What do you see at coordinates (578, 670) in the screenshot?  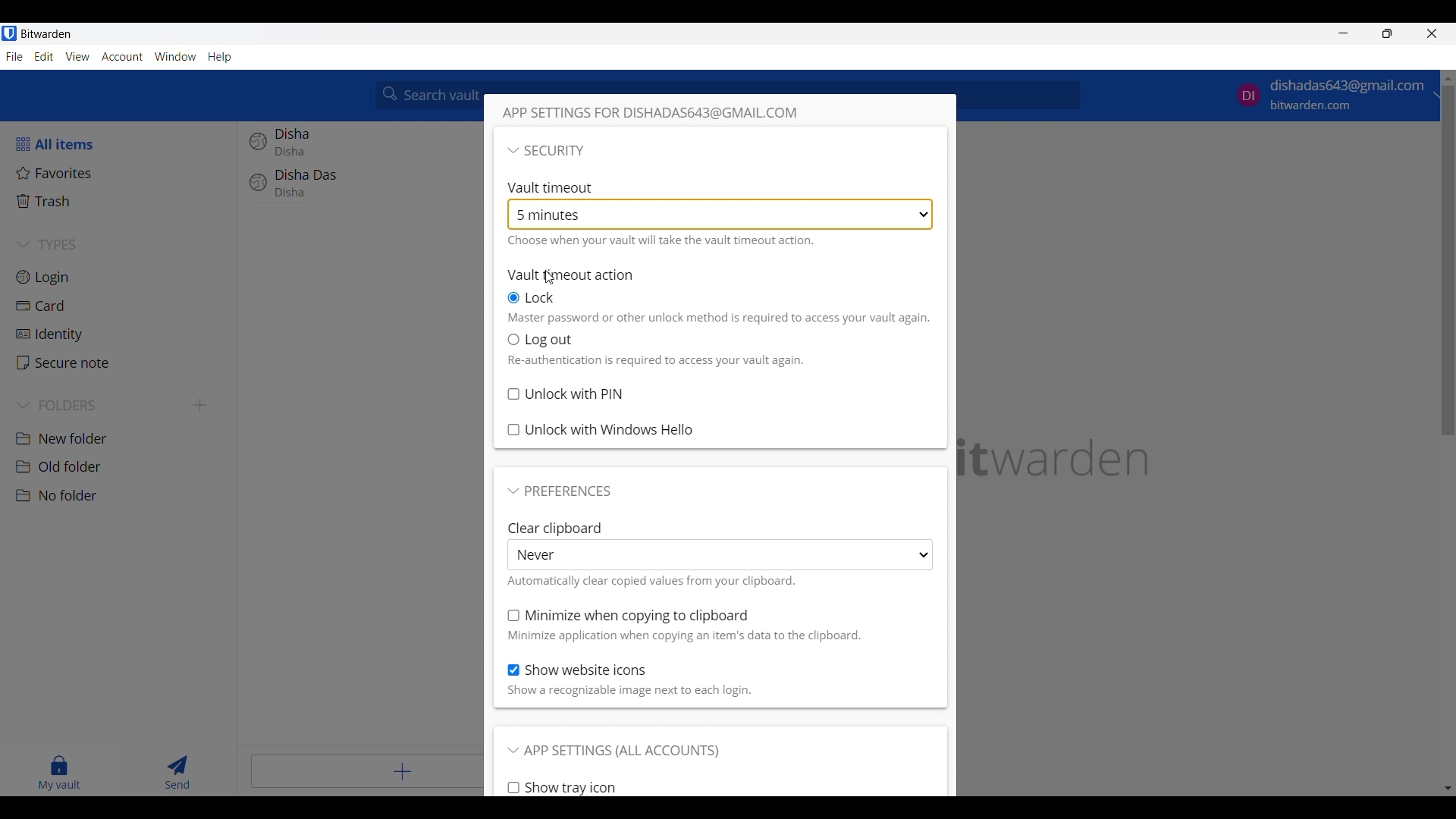 I see `Toggle for Show website icons` at bounding box center [578, 670].